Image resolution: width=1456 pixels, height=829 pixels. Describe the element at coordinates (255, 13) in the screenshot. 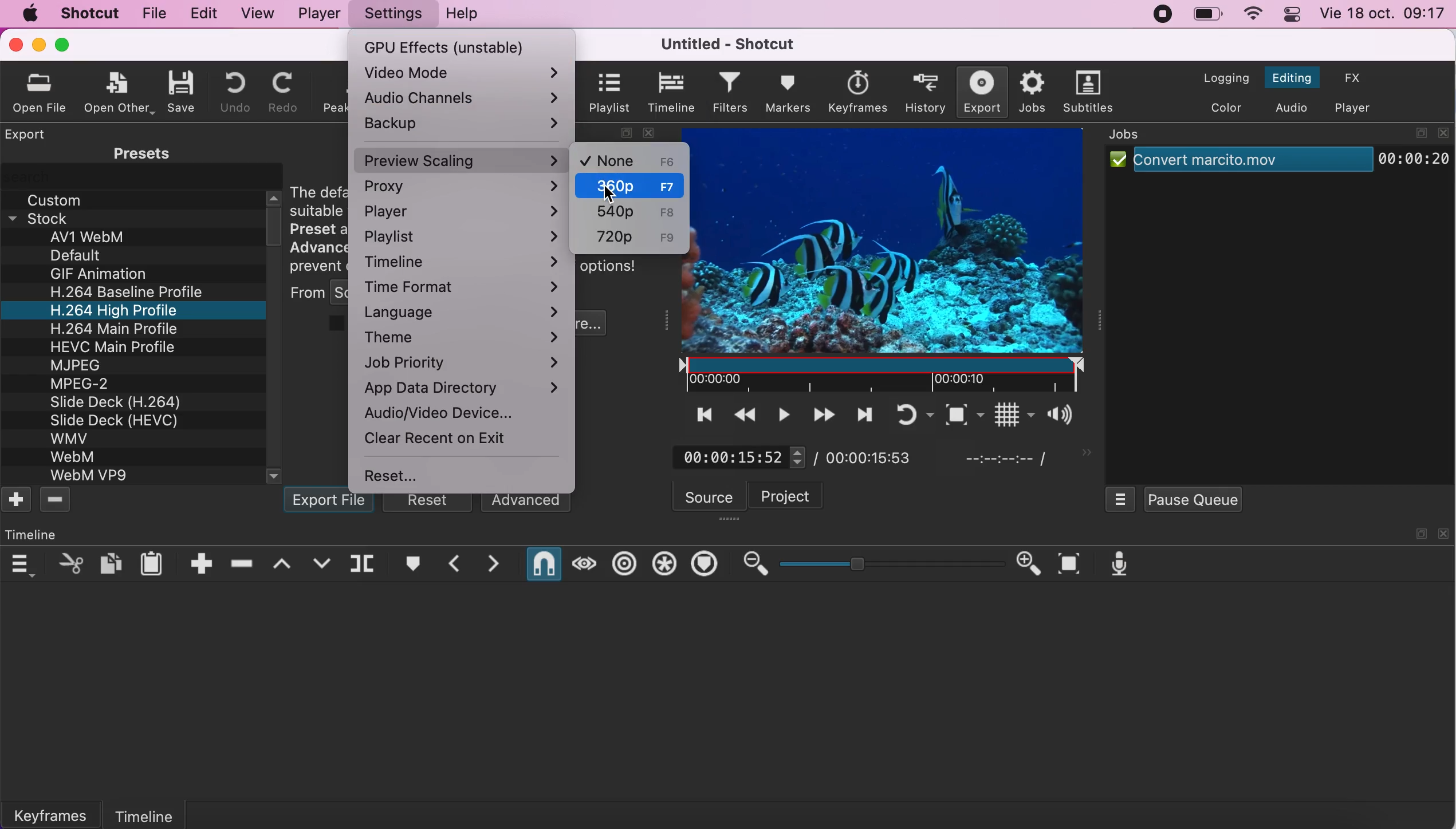

I see `view` at that location.